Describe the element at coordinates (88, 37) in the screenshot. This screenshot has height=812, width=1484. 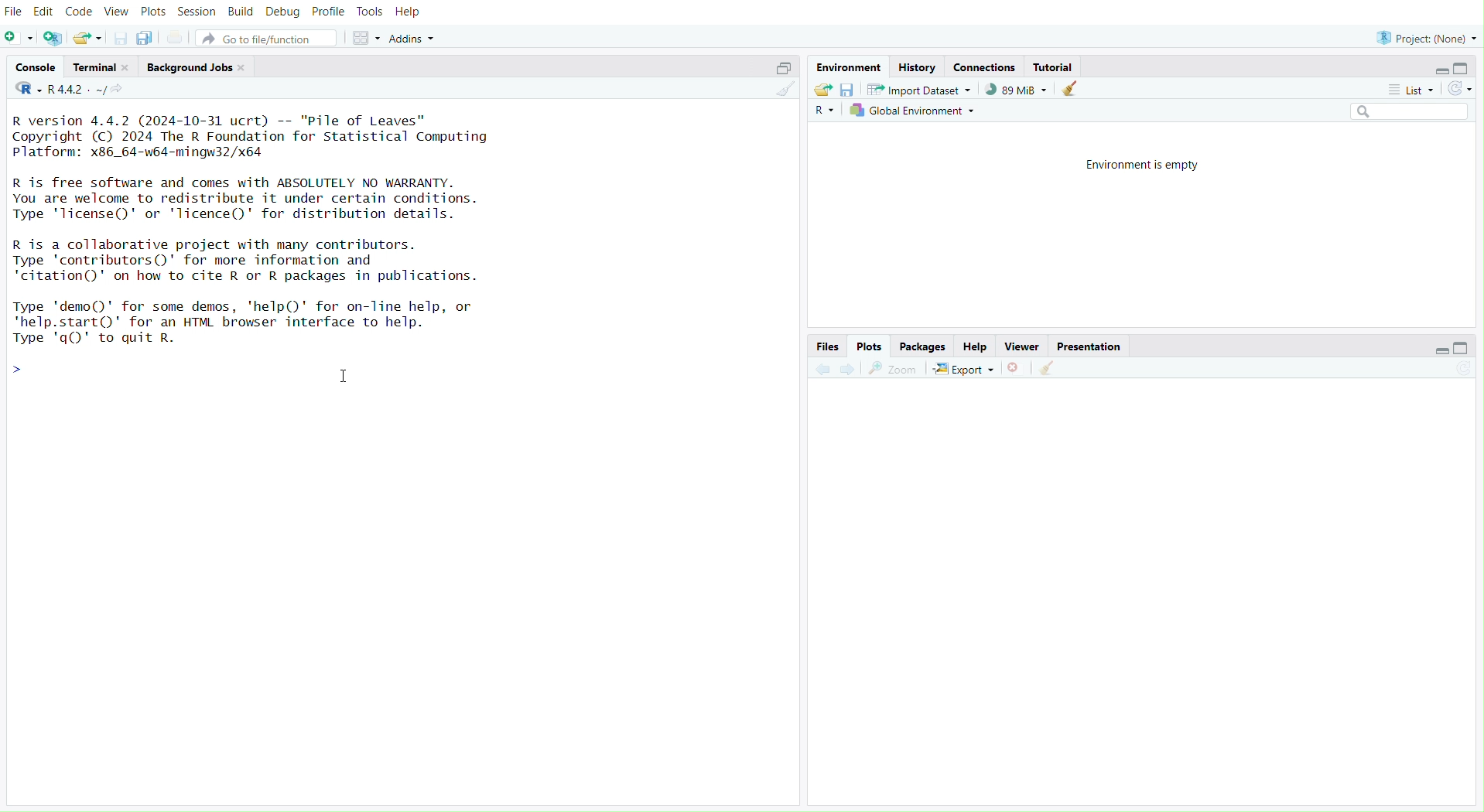
I see `Open an existing file (Ctrl + O)` at that location.